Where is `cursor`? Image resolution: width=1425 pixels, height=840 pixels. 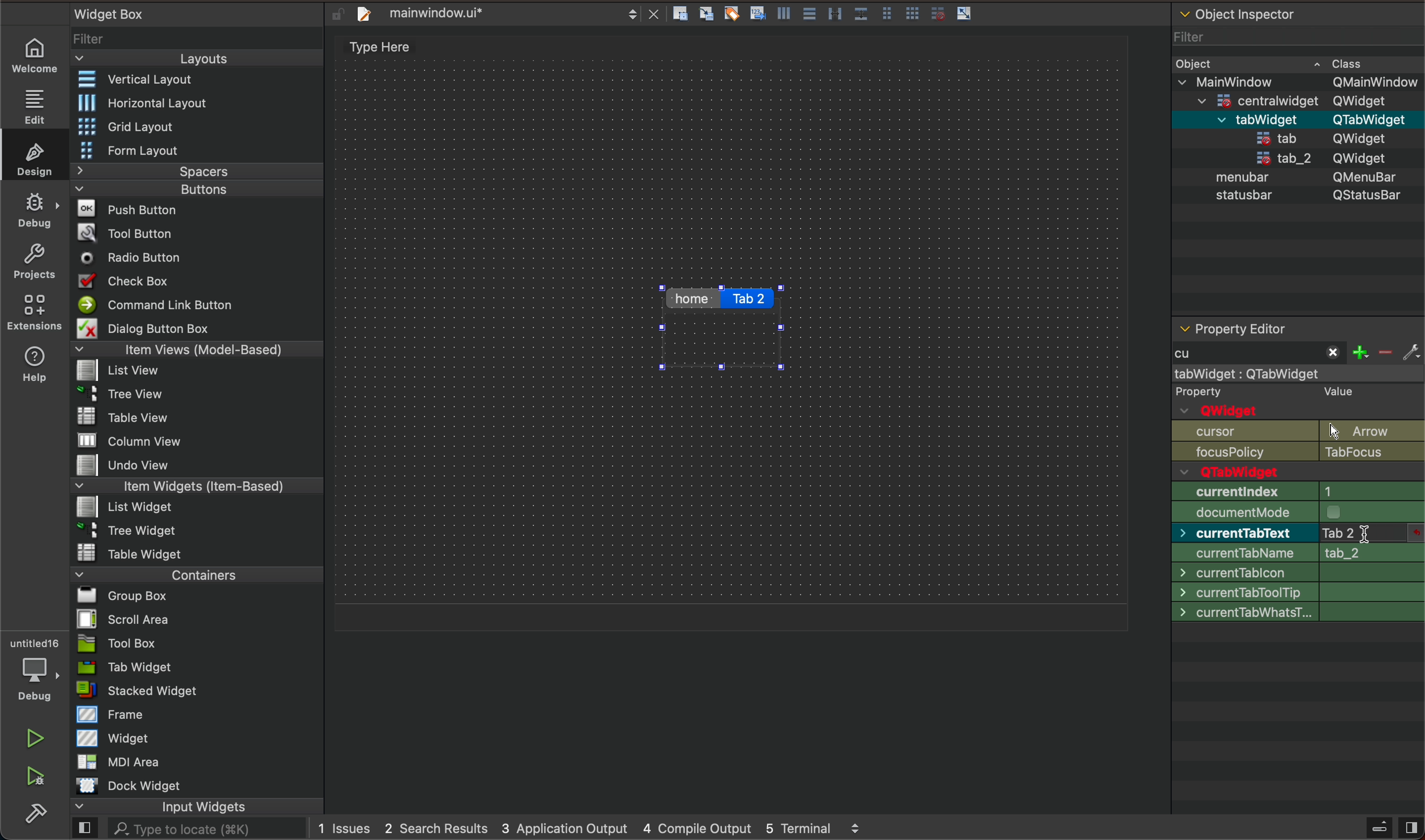
cursor is located at coordinates (1296, 652).